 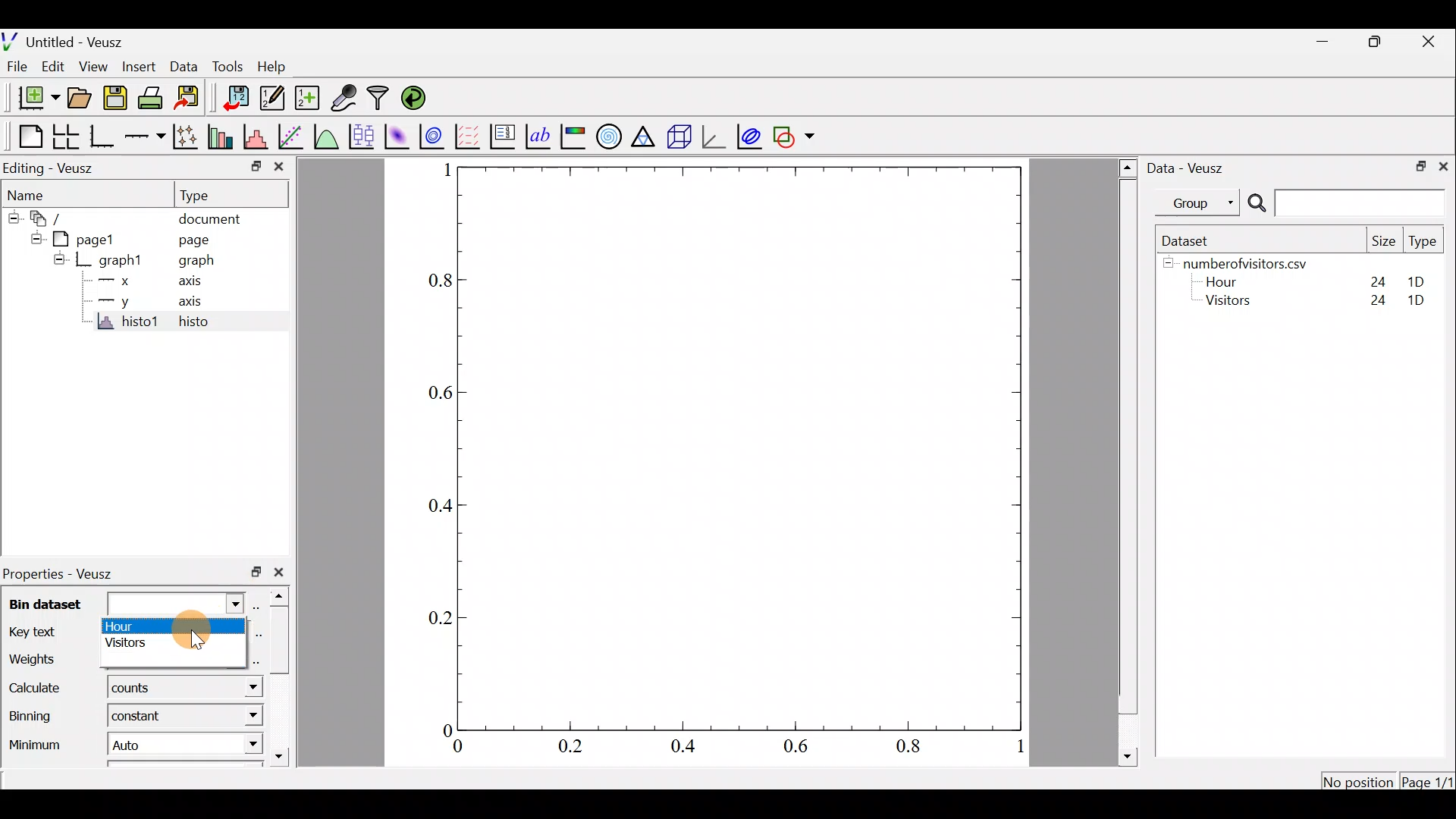 I want to click on Type, so click(x=203, y=195).